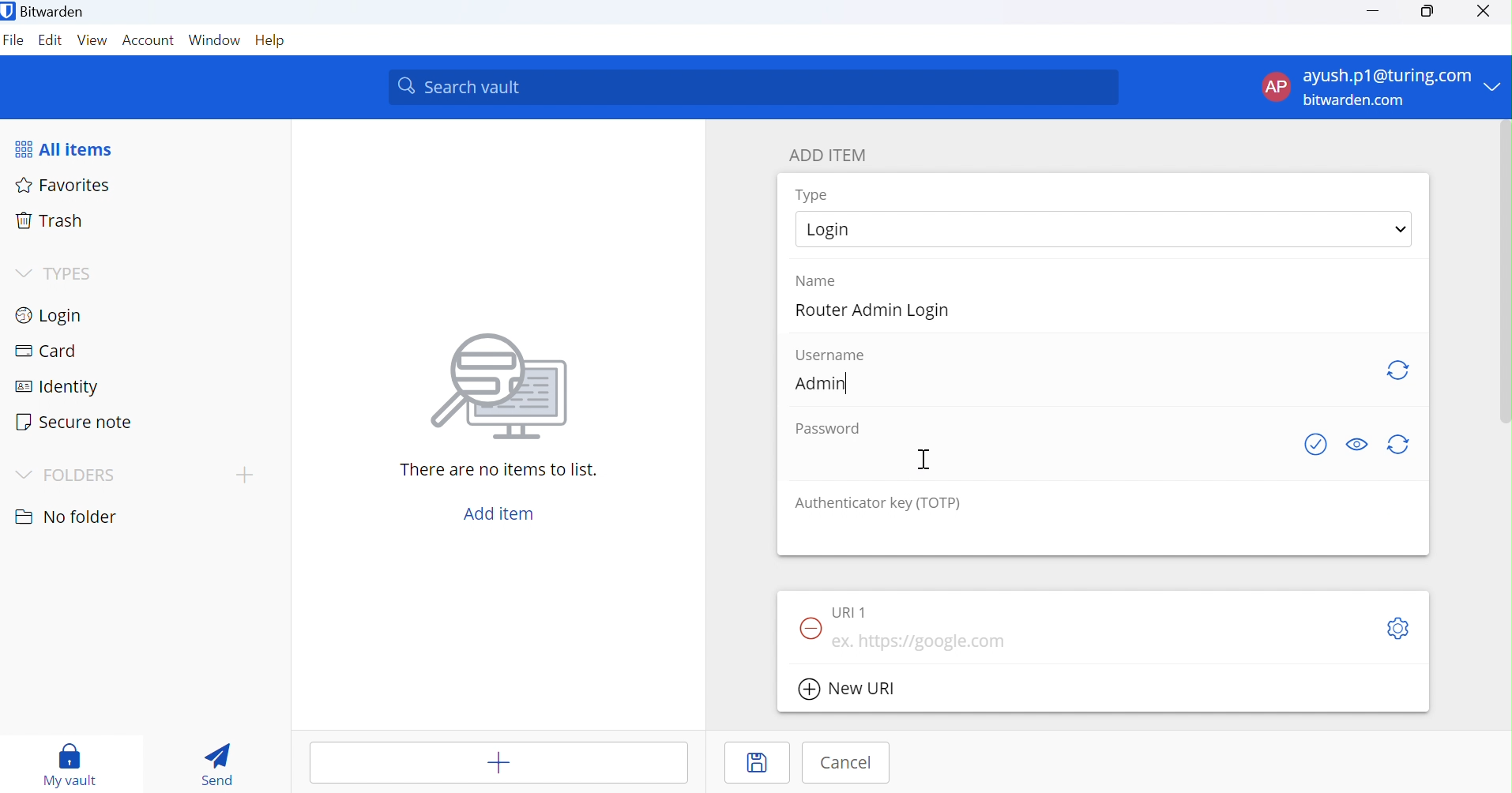  Describe the element at coordinates (1401, 446) in the screenshot. I see `Regenerate password` at that location.